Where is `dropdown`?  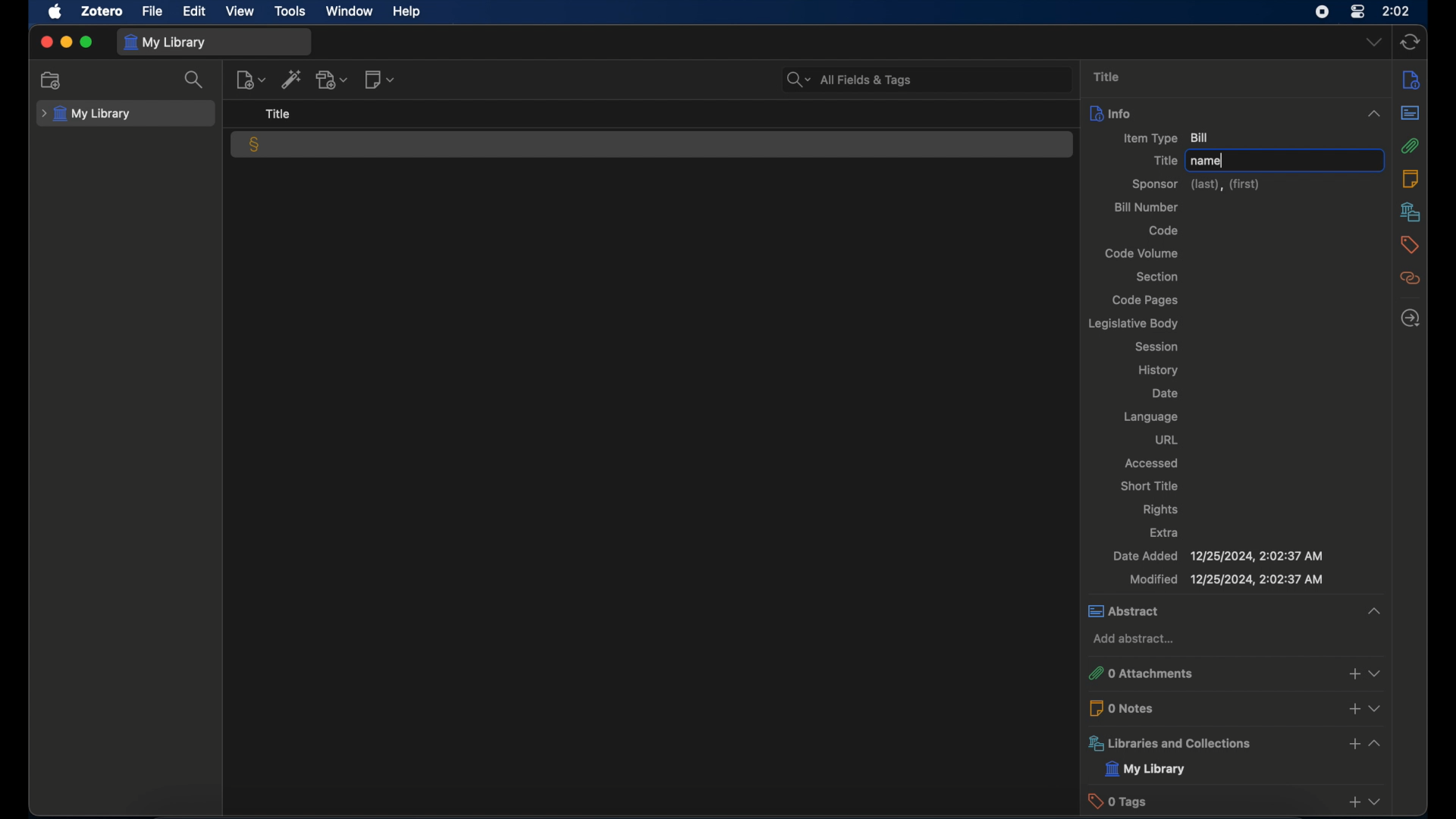 dropdown is located at coordinates (1373, 42).